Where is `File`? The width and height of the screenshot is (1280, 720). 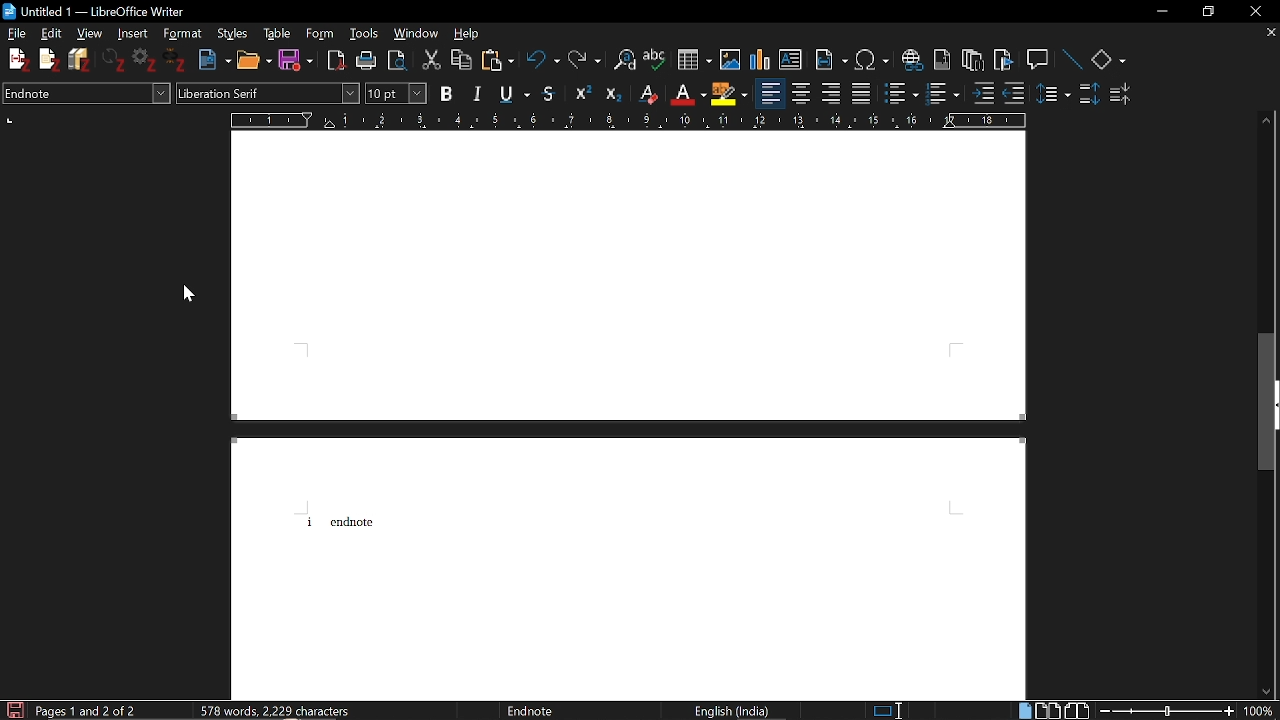
File is located at coordinates (16, 34).